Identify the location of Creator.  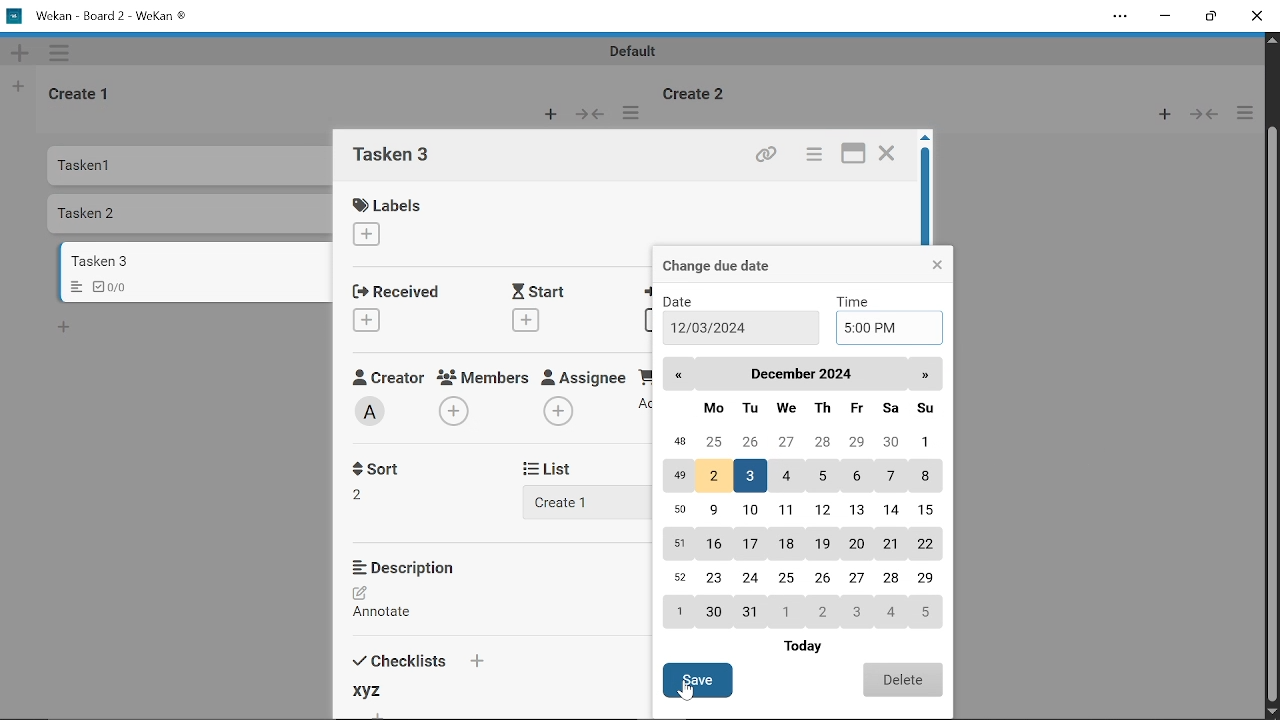
(387, 376).